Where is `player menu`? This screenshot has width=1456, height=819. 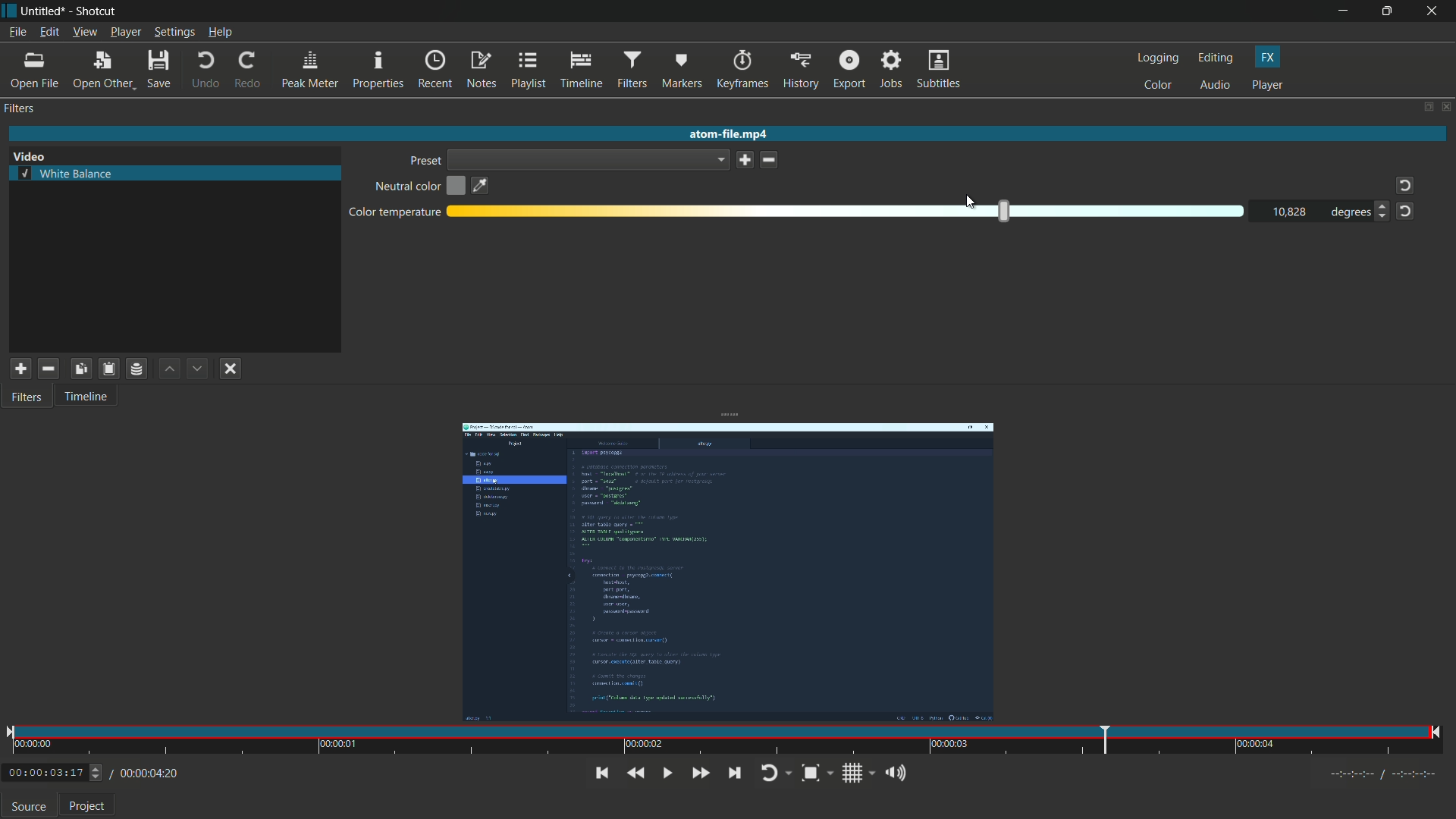
player menu is located at coordinates (126, 32).